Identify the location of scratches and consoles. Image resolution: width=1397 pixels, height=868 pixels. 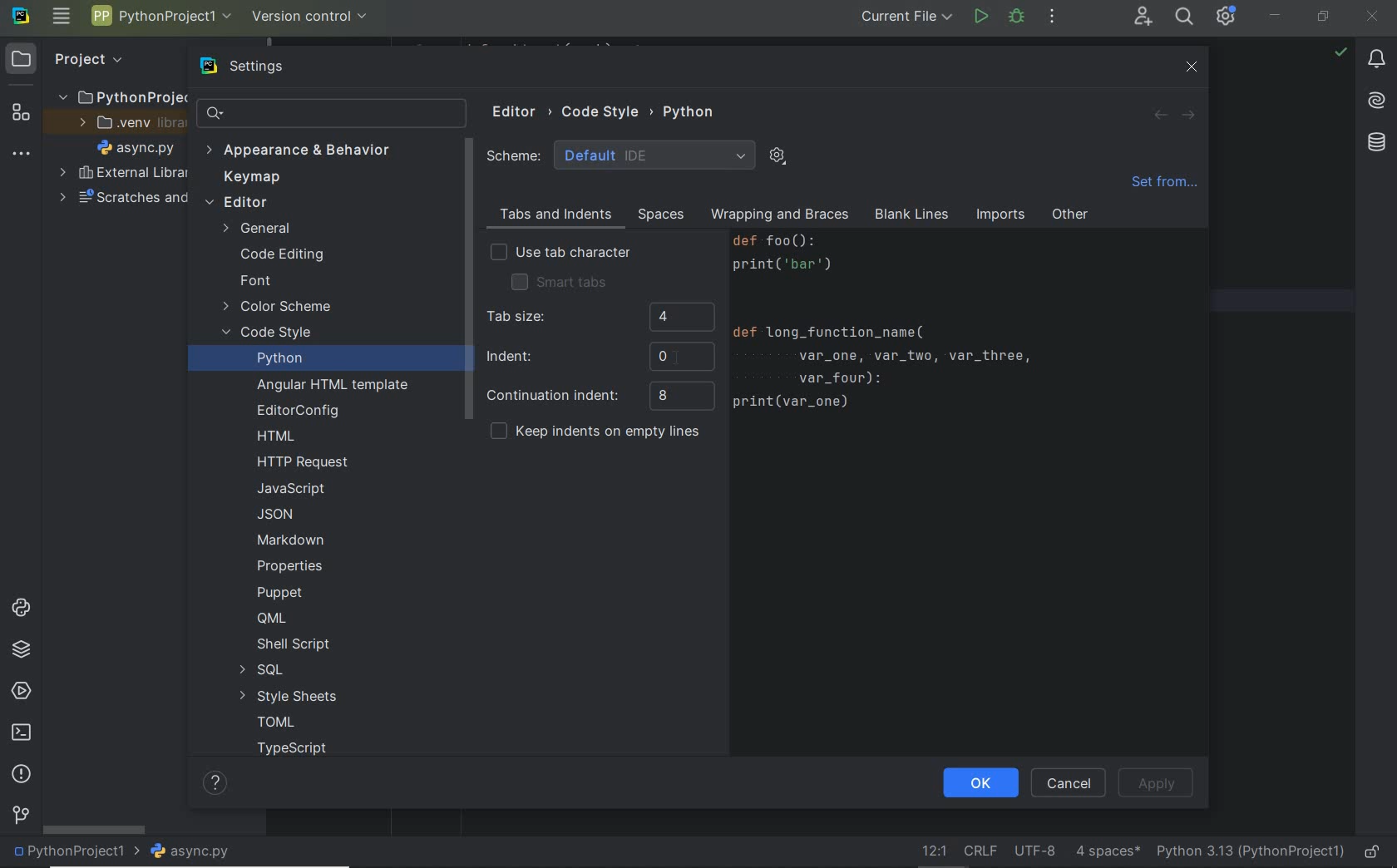
(116, 198).